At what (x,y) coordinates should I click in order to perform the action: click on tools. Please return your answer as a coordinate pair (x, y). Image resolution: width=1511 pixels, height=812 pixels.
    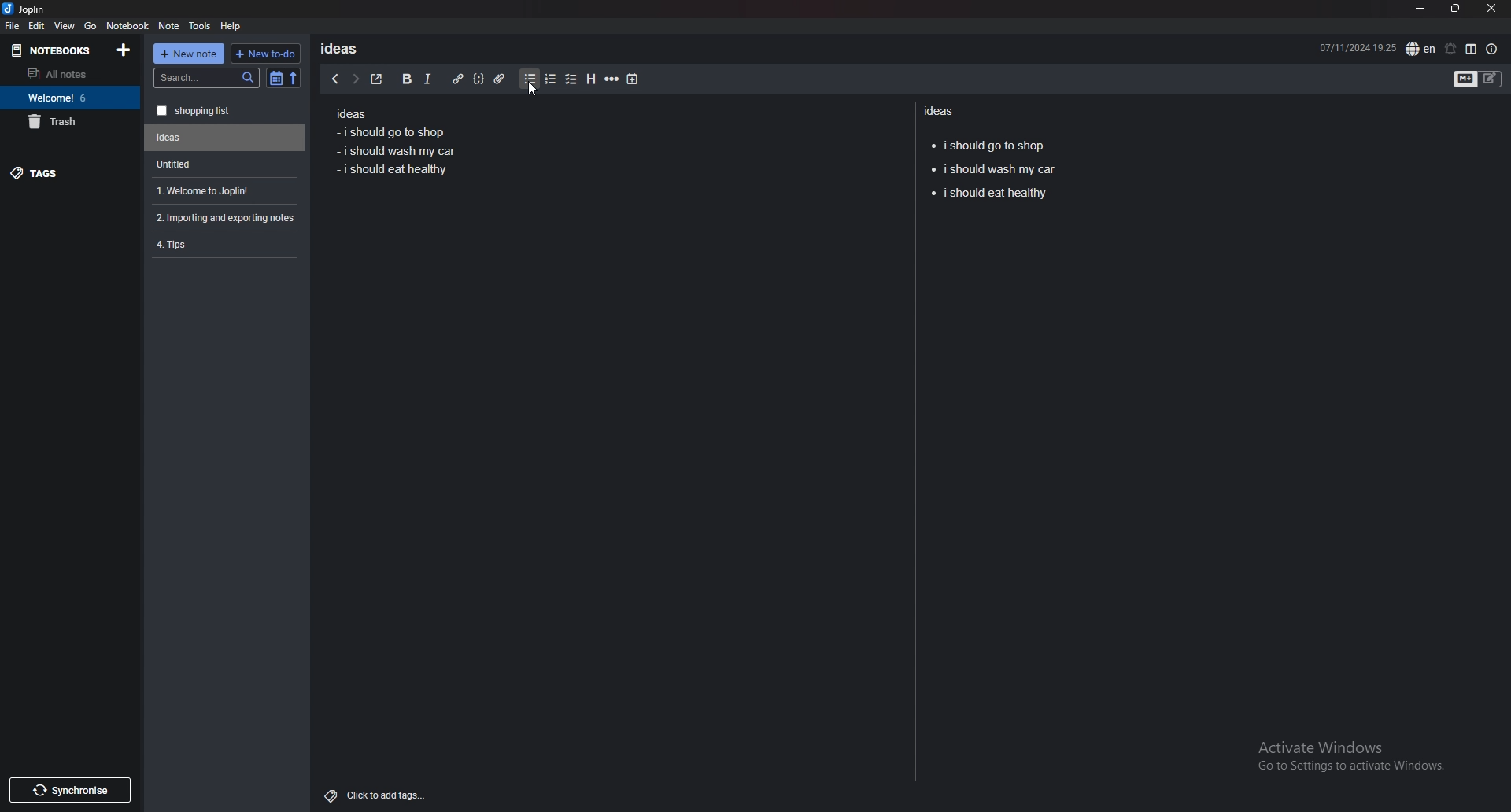
    Looking at the image, I should click on (201, 26).